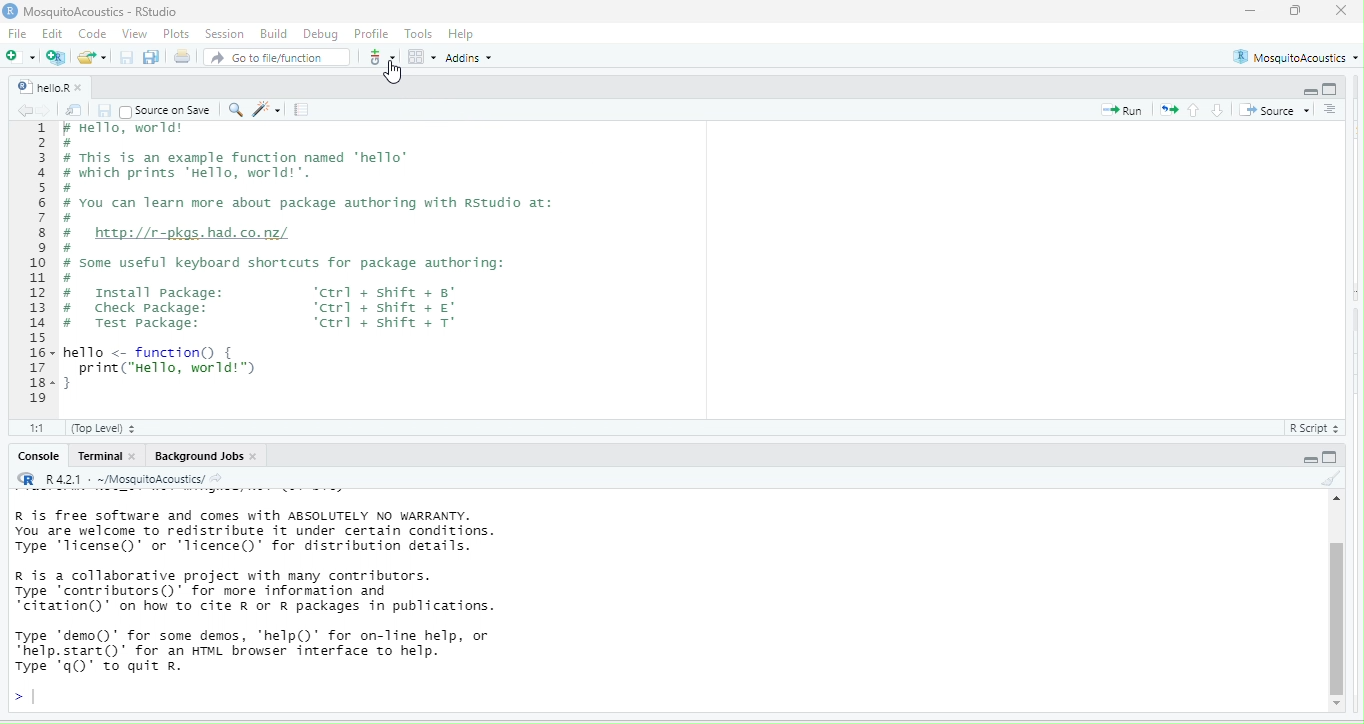  What do you see at coordinates (39, 265) in the screenshot?
I see `1
2
3
a
5
6
7
BH
9
10
1
12
13
1
15

16-
17

18-
19` at bounding box center [39, 265].